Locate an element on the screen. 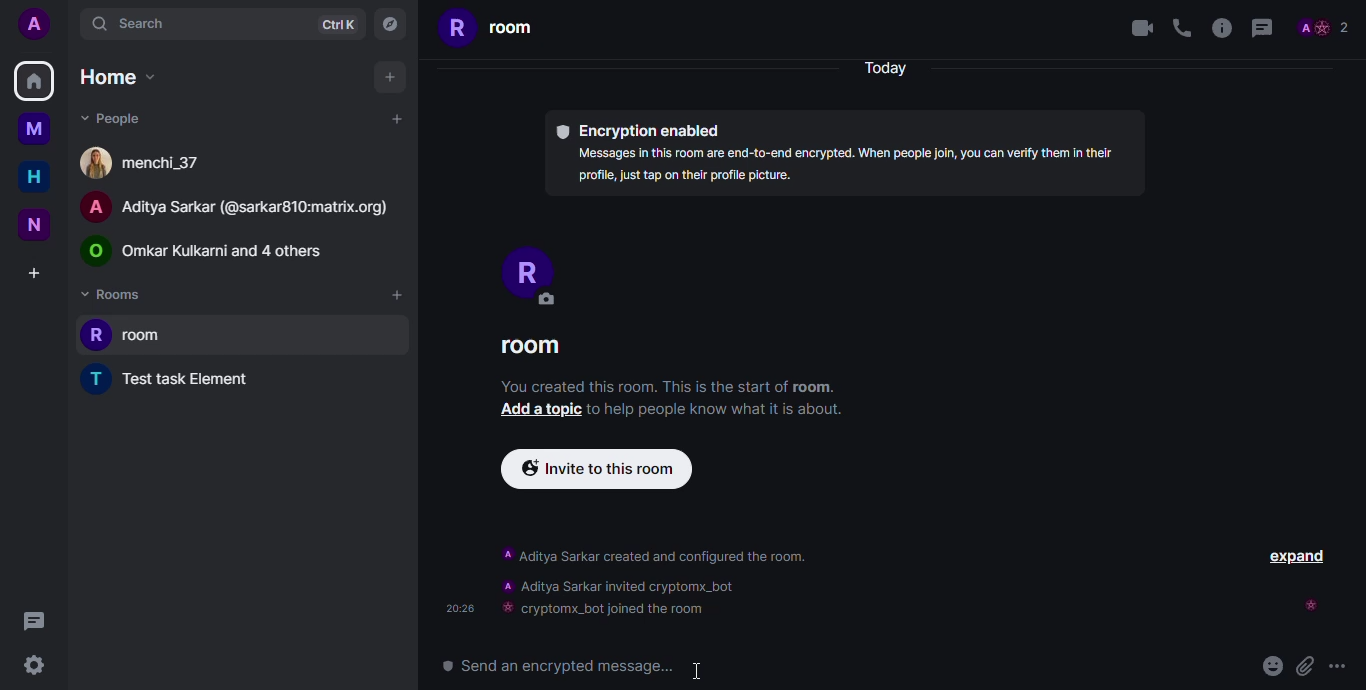  Messages in the room are end-to-end encrypted. When people join, you can verify them in their profile, just tap on their profile. is located at coordinates (848, 164).